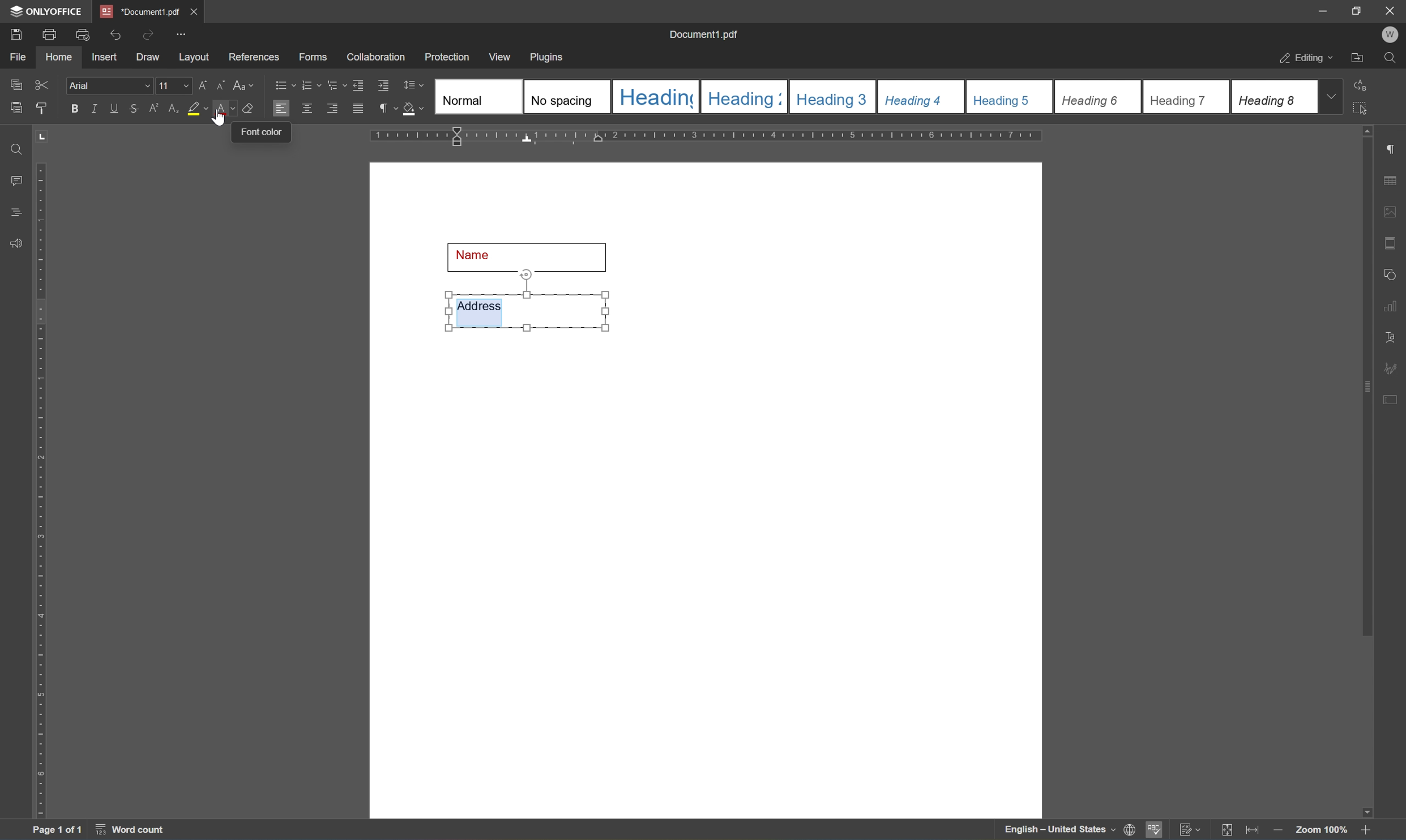 The height and width of the screenshot is (840, 1406). I want to click on align right, so click(332, 108).